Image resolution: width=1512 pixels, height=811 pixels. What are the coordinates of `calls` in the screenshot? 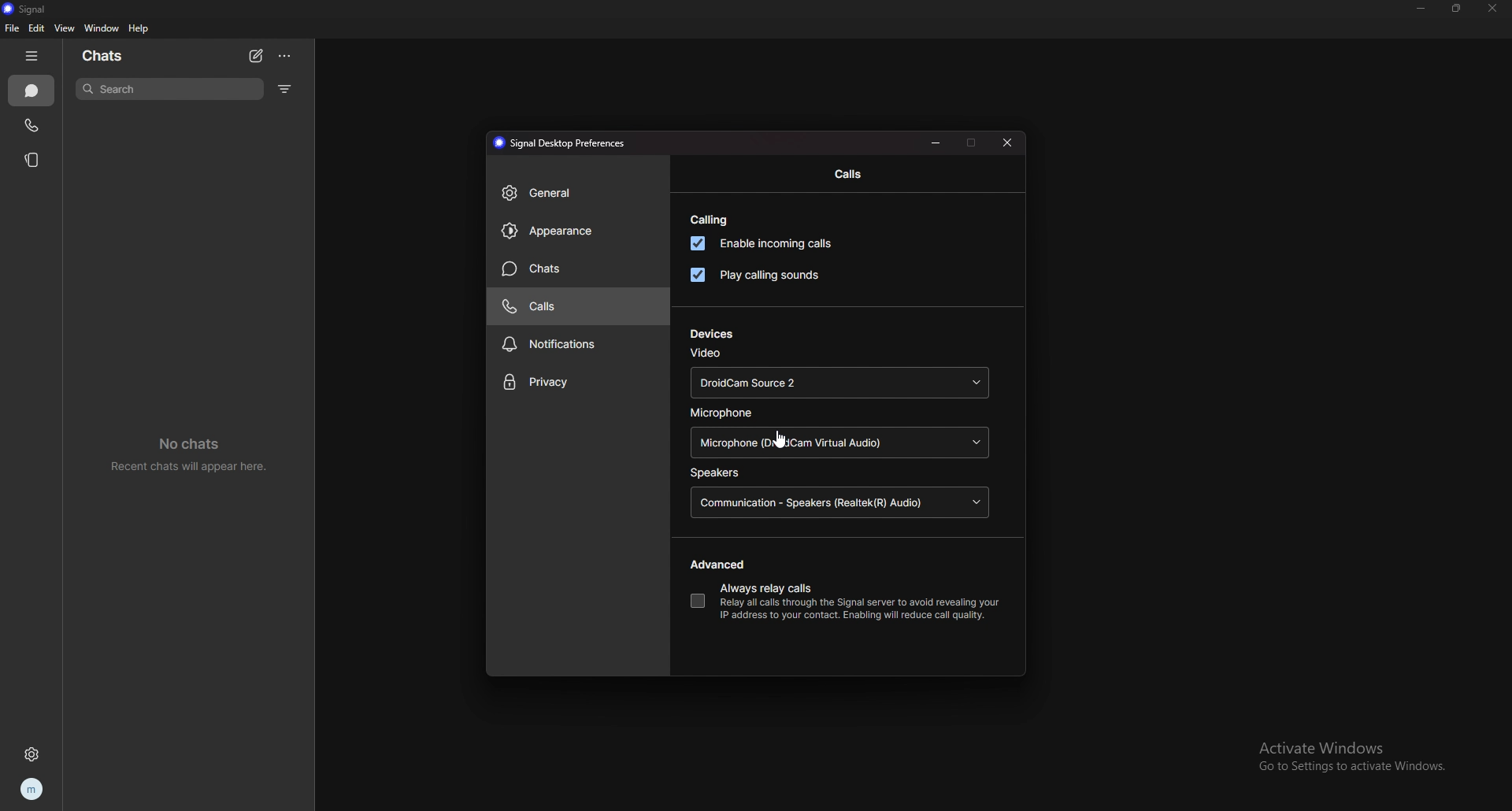 It's located at (849, 175).